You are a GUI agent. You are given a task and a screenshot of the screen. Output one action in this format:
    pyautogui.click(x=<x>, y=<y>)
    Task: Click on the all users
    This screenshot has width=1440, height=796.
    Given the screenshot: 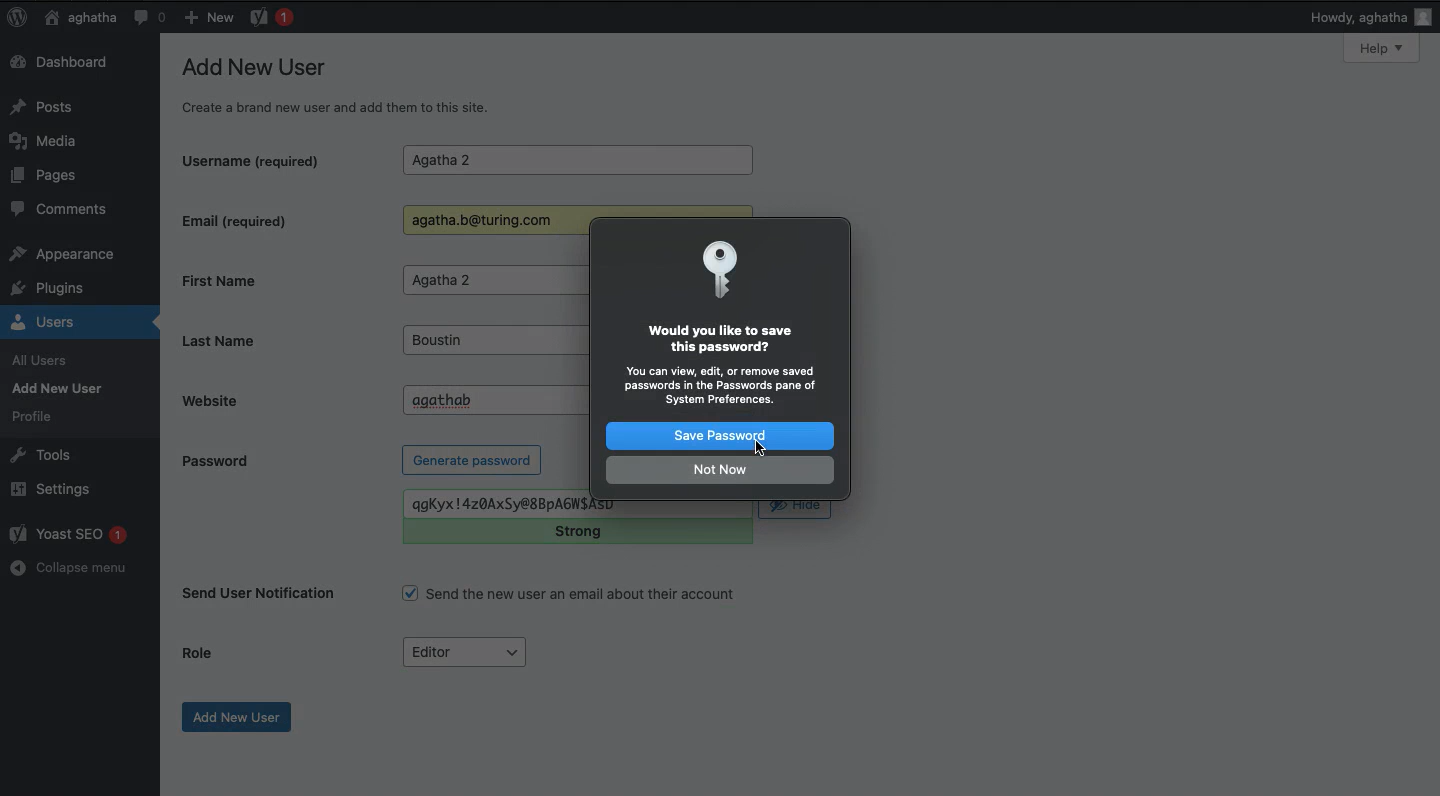 What is the action you would take?
    pyautogui.click(x=45, y=361)
    